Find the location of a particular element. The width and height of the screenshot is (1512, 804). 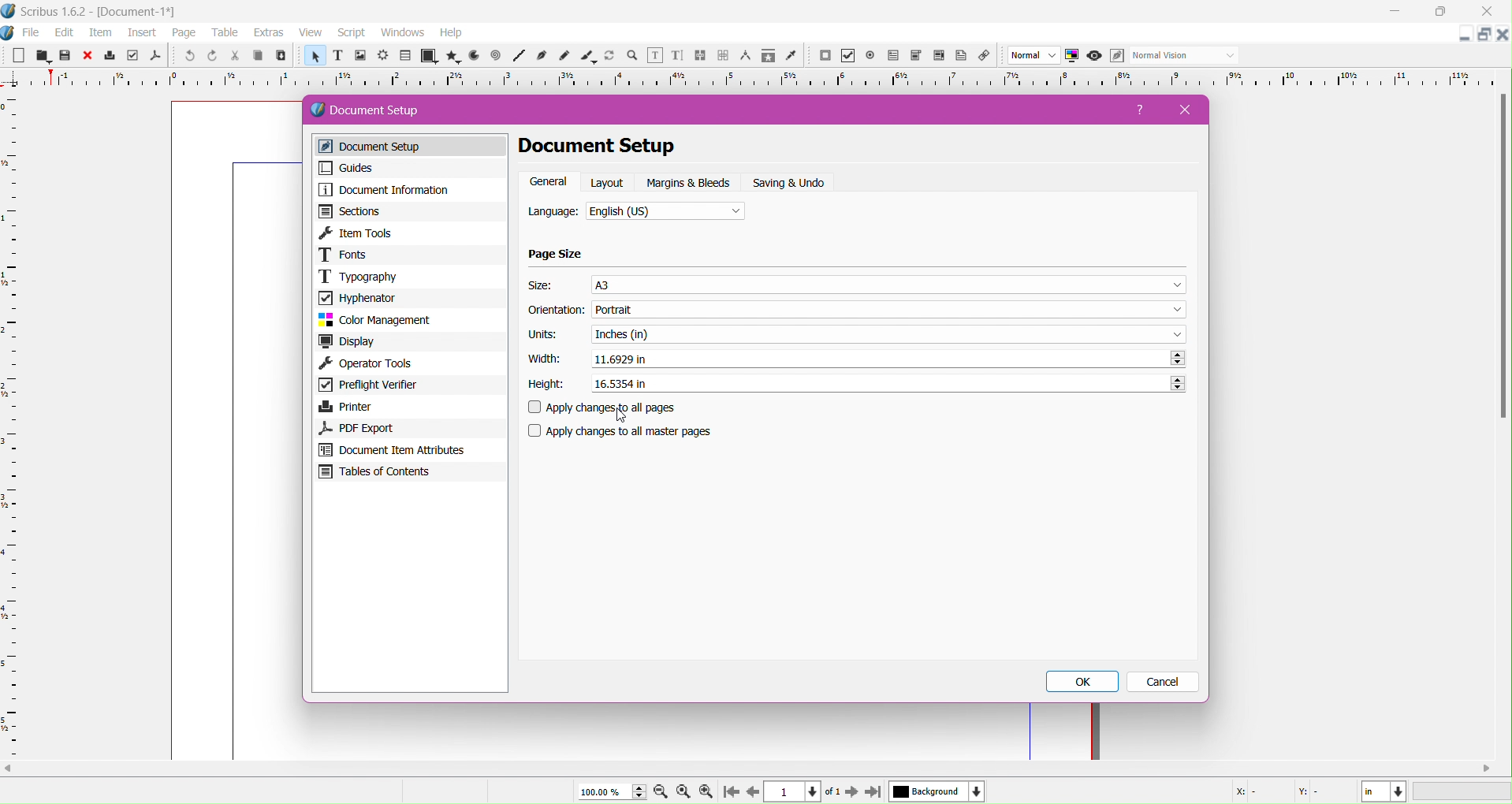

print is located at coordinates (110, 56).